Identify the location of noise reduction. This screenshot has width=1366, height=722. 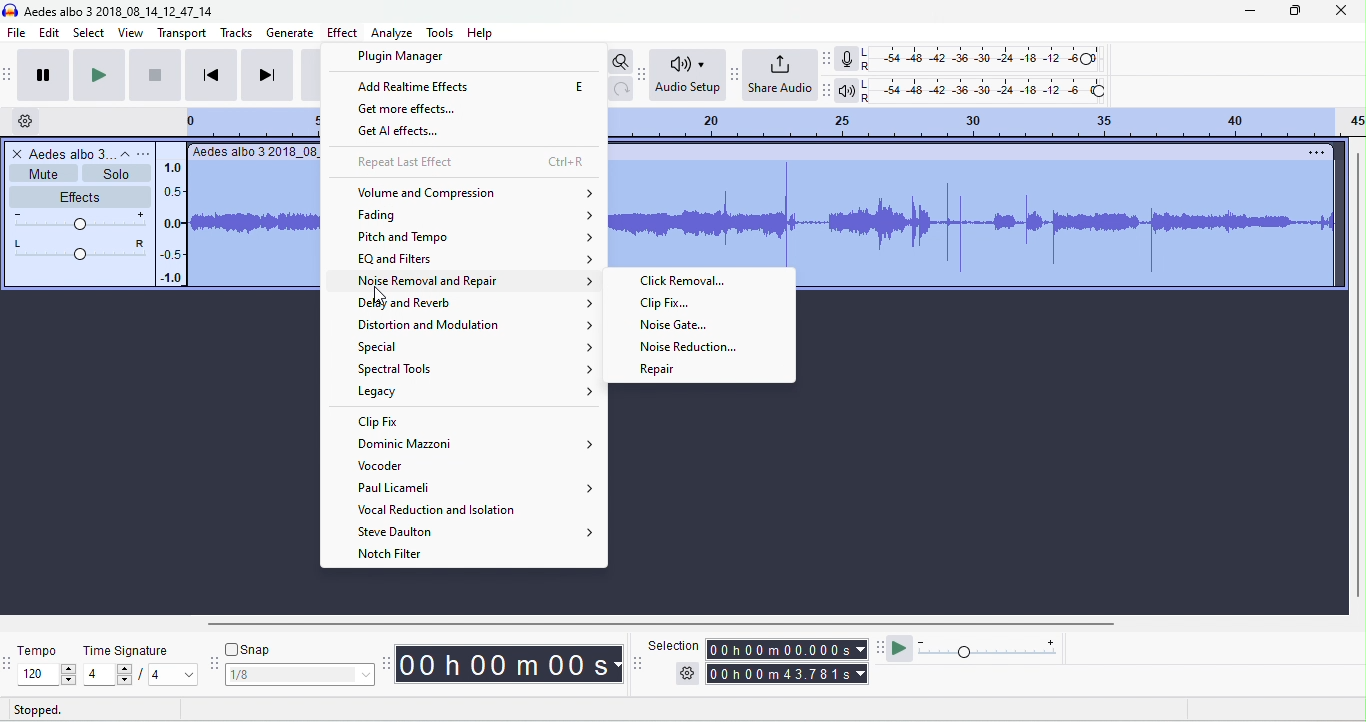
(693, 349).